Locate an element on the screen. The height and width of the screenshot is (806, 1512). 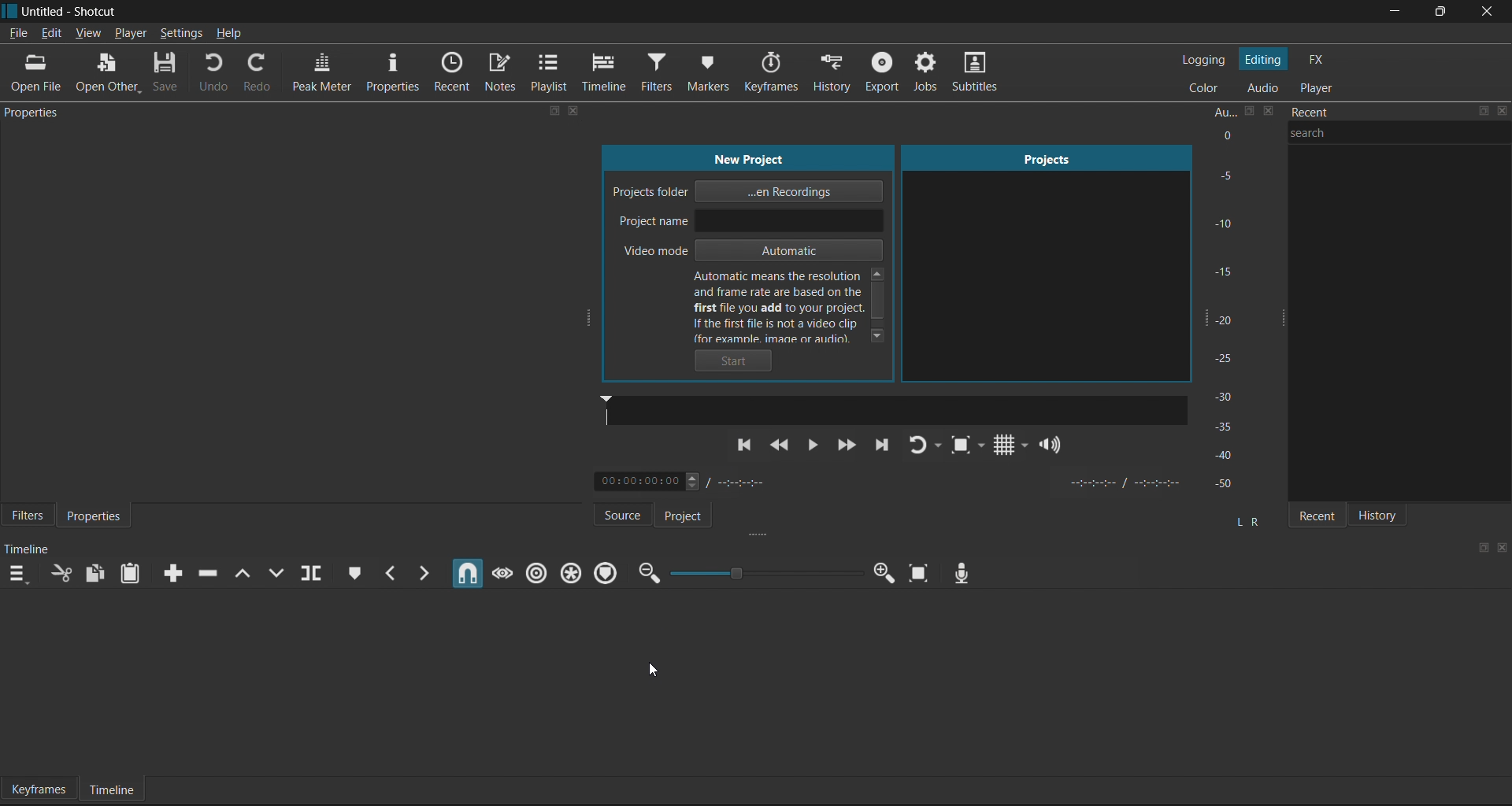
Append is located at coordinates (169, 571).